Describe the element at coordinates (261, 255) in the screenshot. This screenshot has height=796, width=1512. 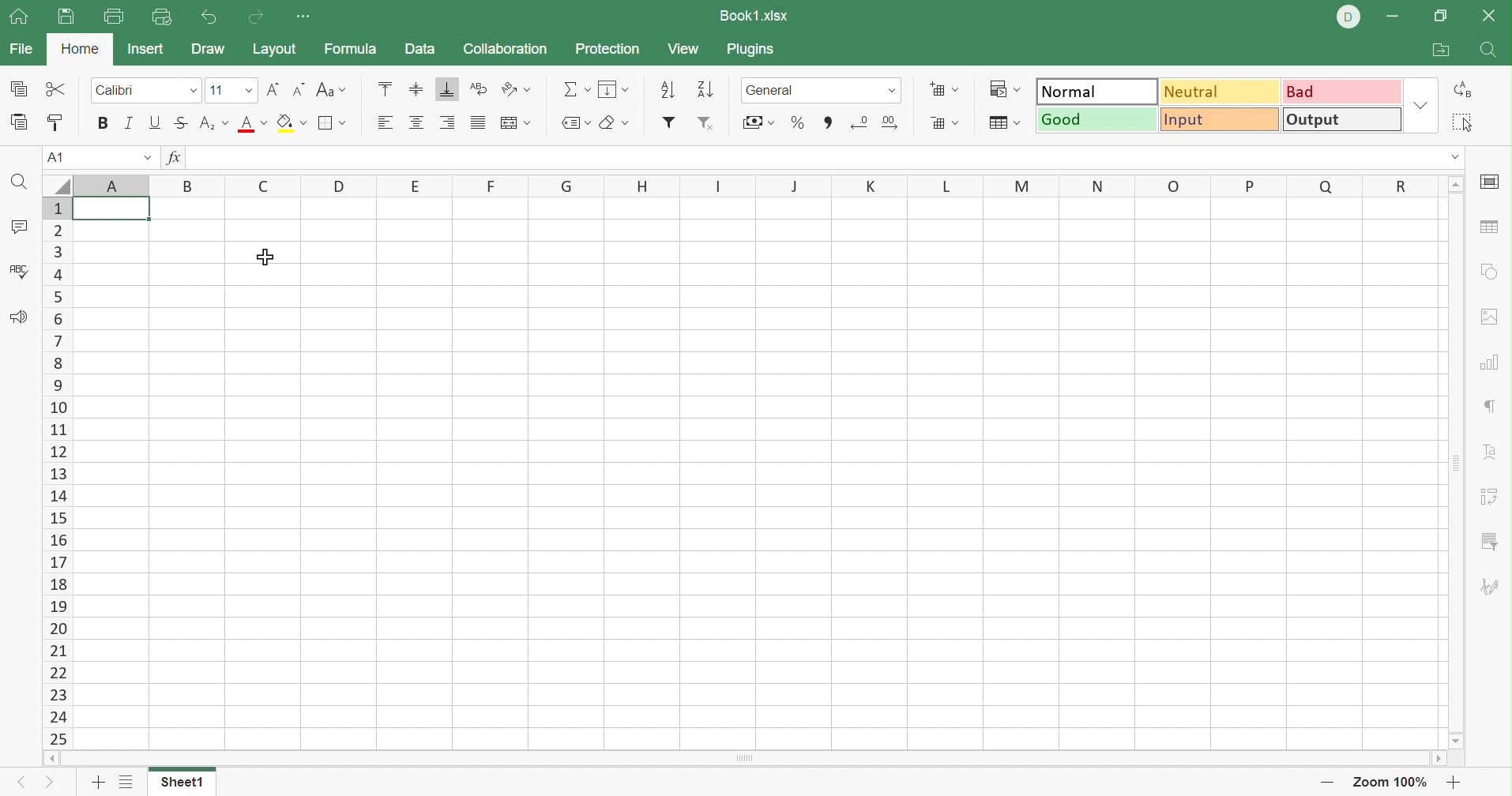
I see `Cursor` at that location.